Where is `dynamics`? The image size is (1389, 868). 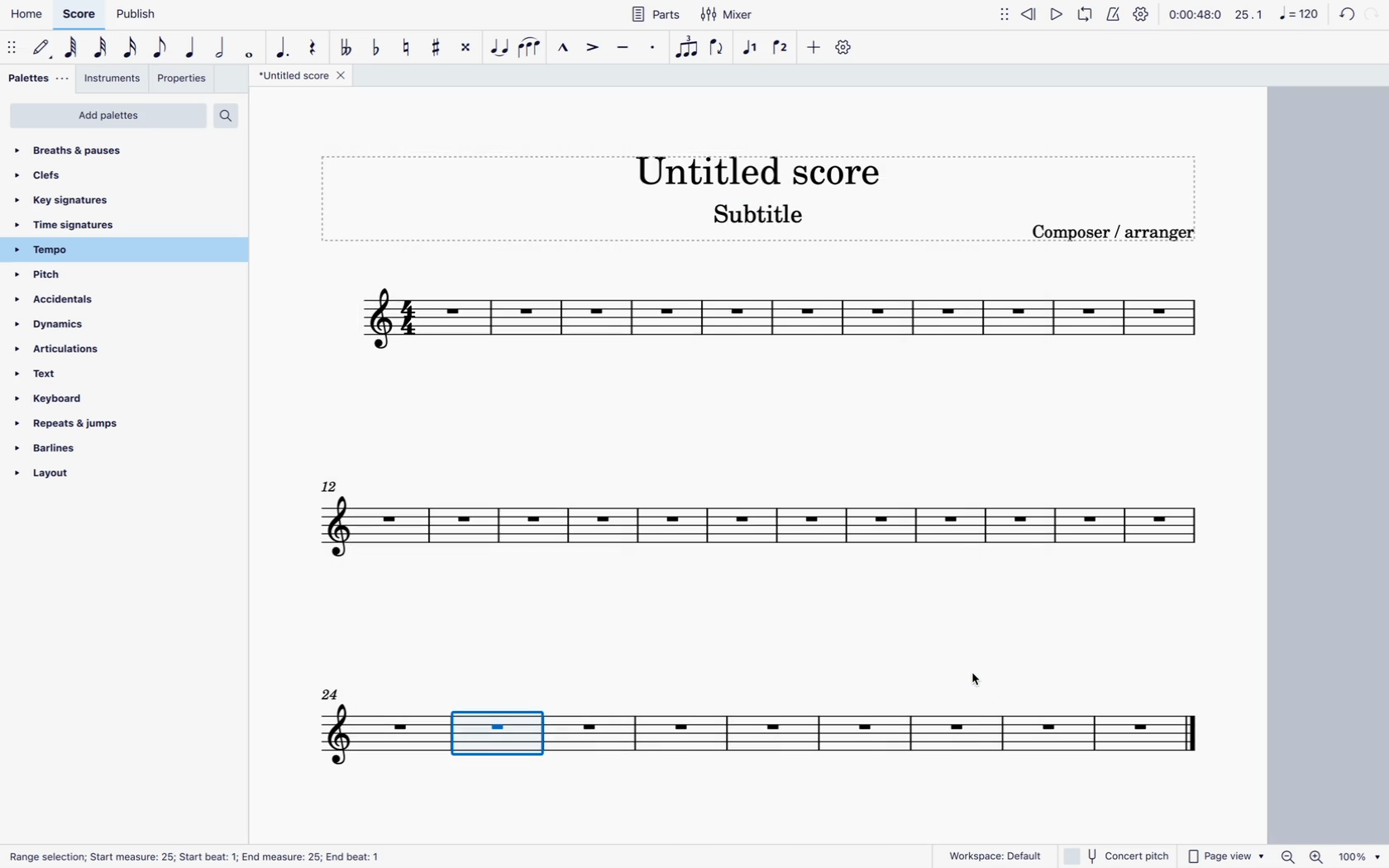
dynamics is located at coordinates (59, 324).